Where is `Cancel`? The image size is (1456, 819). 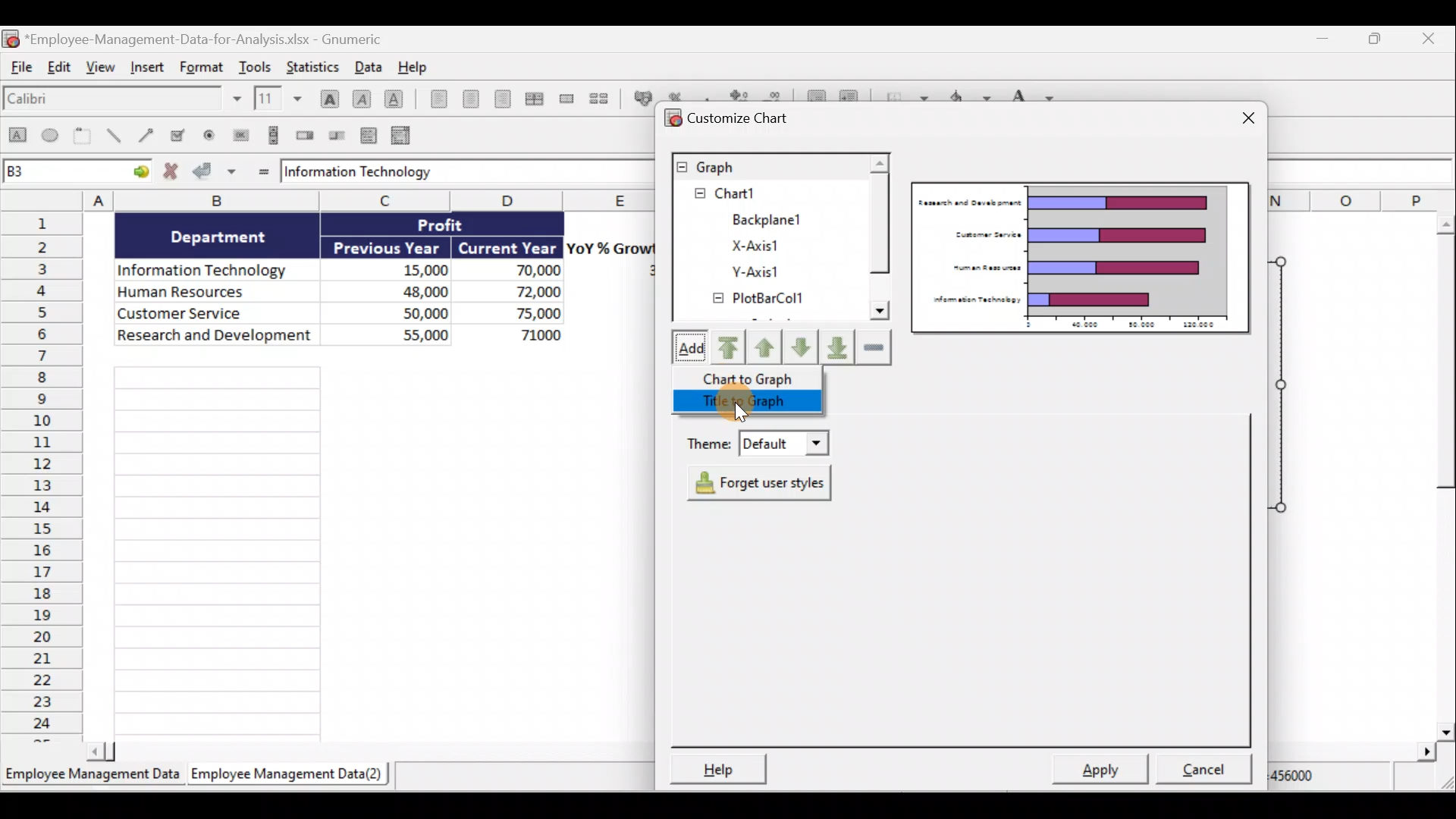
Cancel is located at coordinates (1209, 772).